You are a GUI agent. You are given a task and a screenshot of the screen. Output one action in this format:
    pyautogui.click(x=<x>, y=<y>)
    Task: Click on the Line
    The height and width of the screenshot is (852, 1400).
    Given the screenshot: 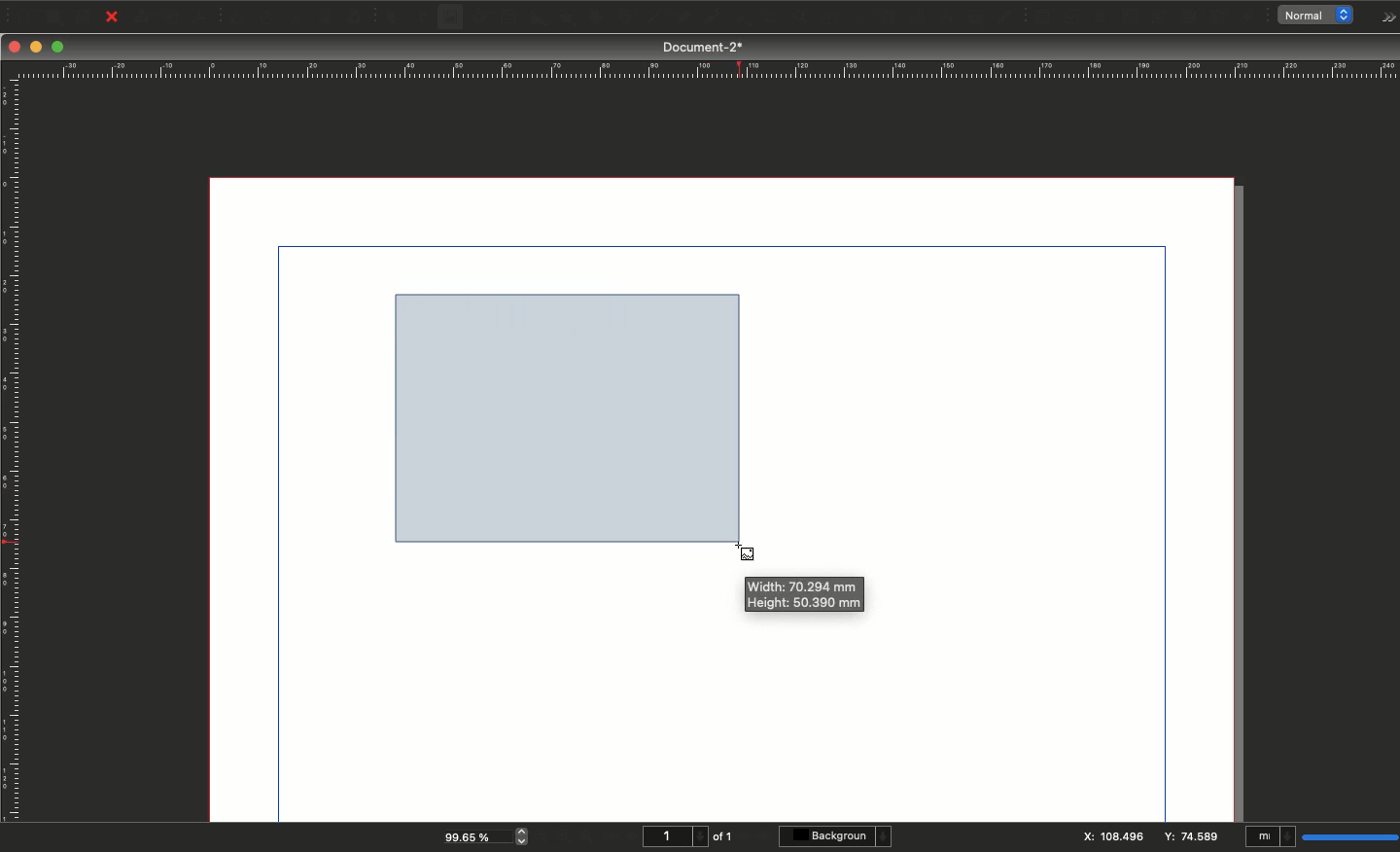 What is the action you would take?
    pyautogui.click(x=652, y=18)
    